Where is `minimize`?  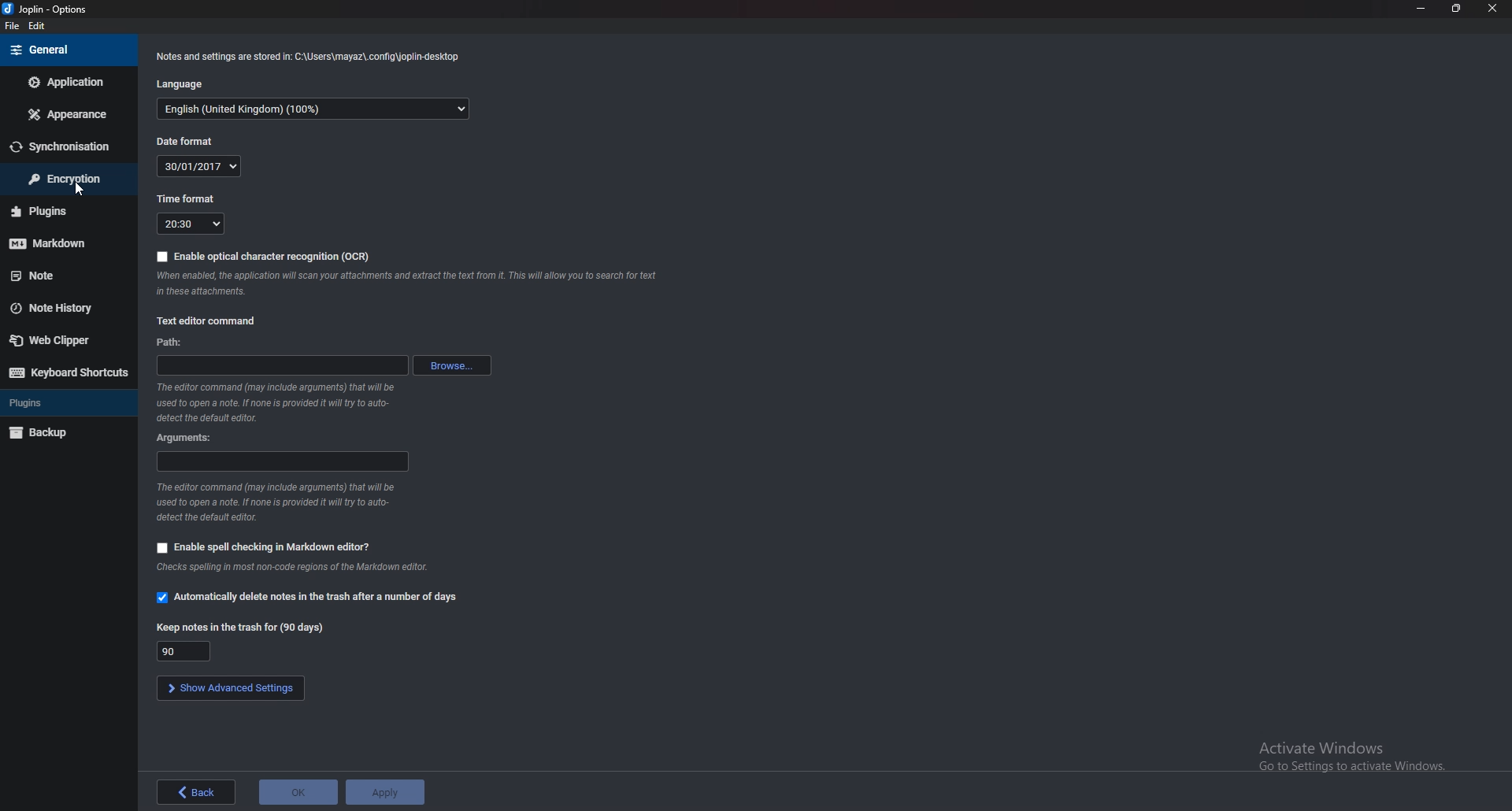 minimize is located at coordinates (1422, 9).